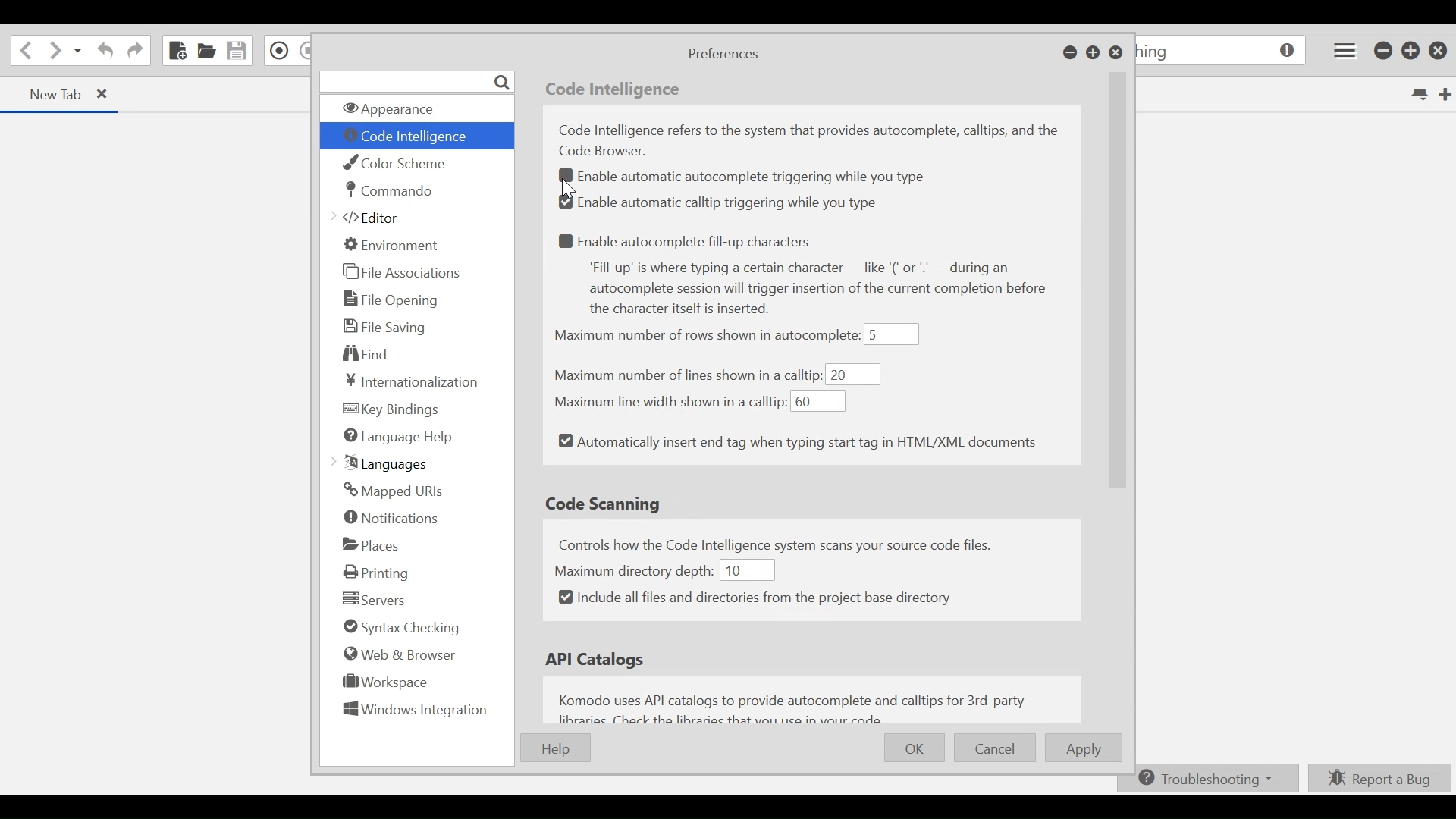  Describe the element at coordinates (818, 402) in the screenshot. I see `60` at that location.